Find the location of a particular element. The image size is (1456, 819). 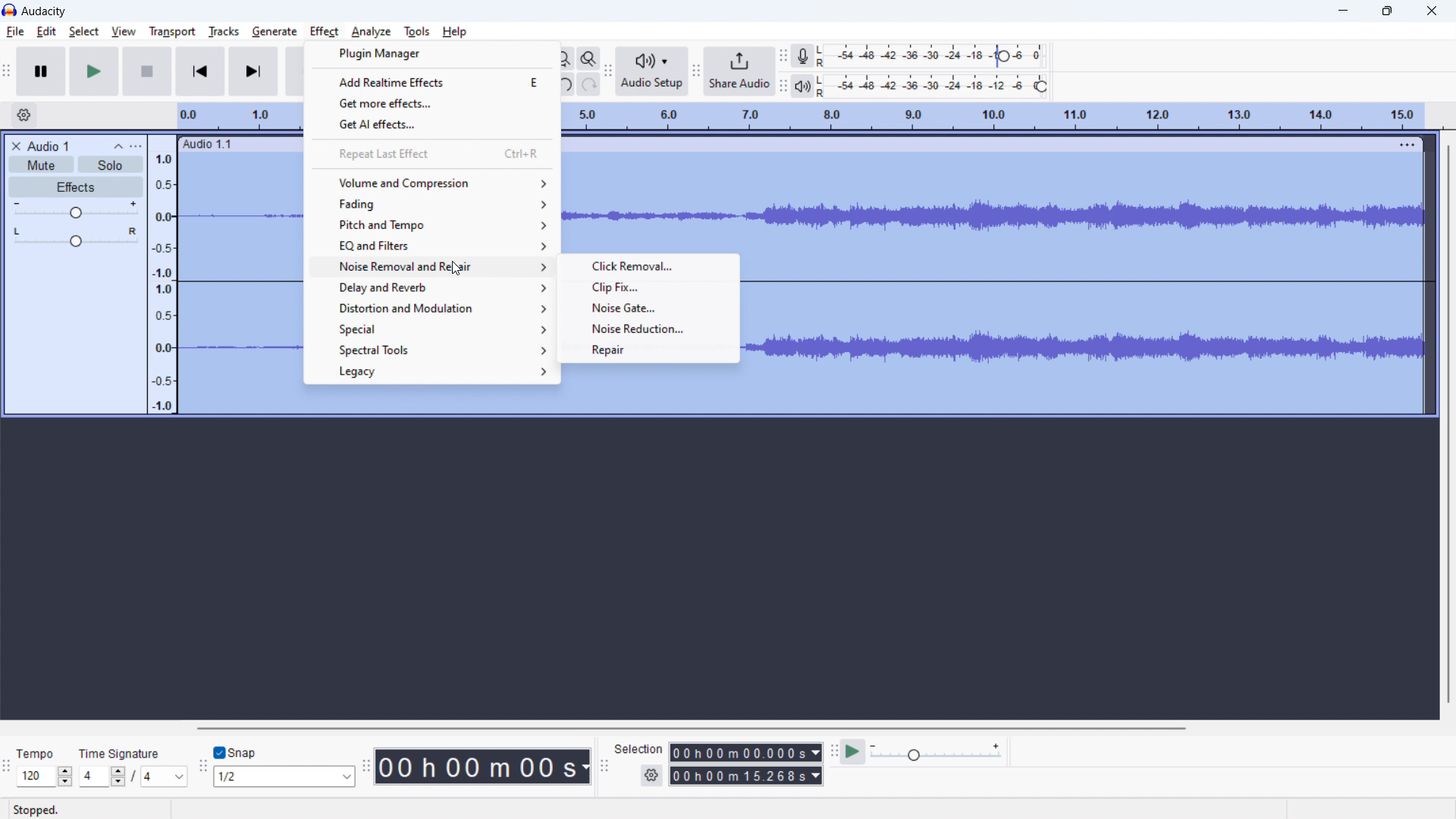

play is located at coordinates (96, 71).